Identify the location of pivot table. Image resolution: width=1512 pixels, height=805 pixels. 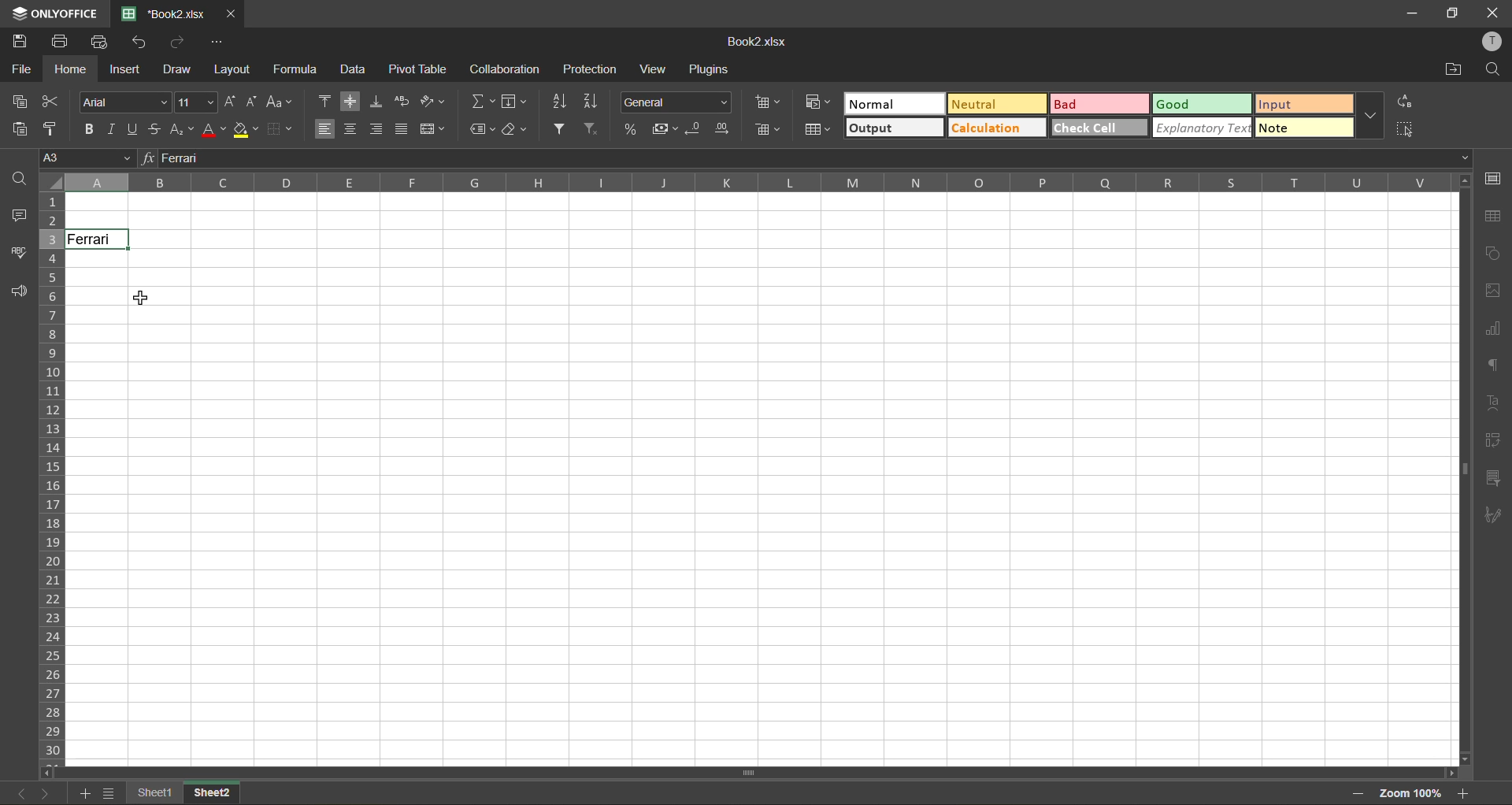
(1492, 440).